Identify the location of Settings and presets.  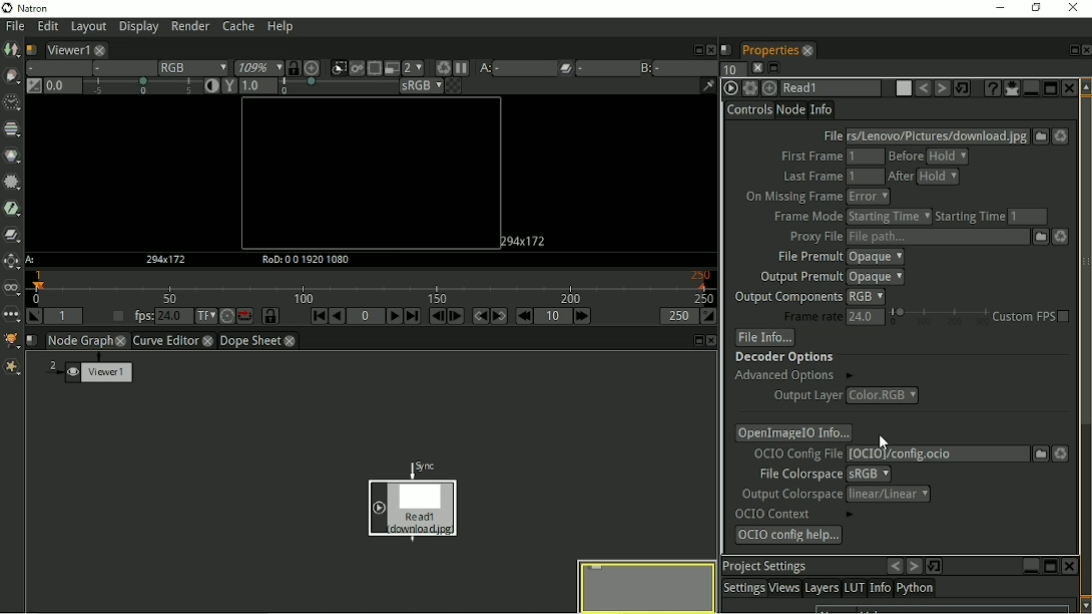
(749, 90).